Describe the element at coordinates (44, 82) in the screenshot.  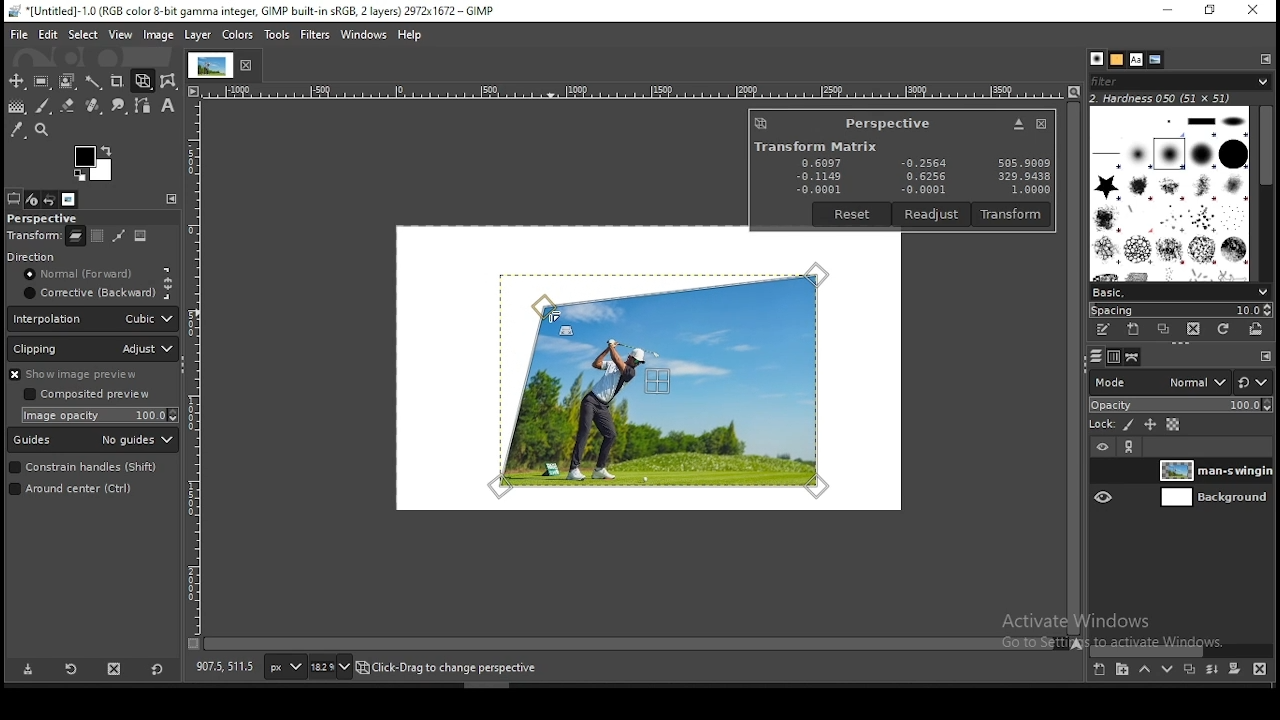
I see `rectangular selection tool` at that location.